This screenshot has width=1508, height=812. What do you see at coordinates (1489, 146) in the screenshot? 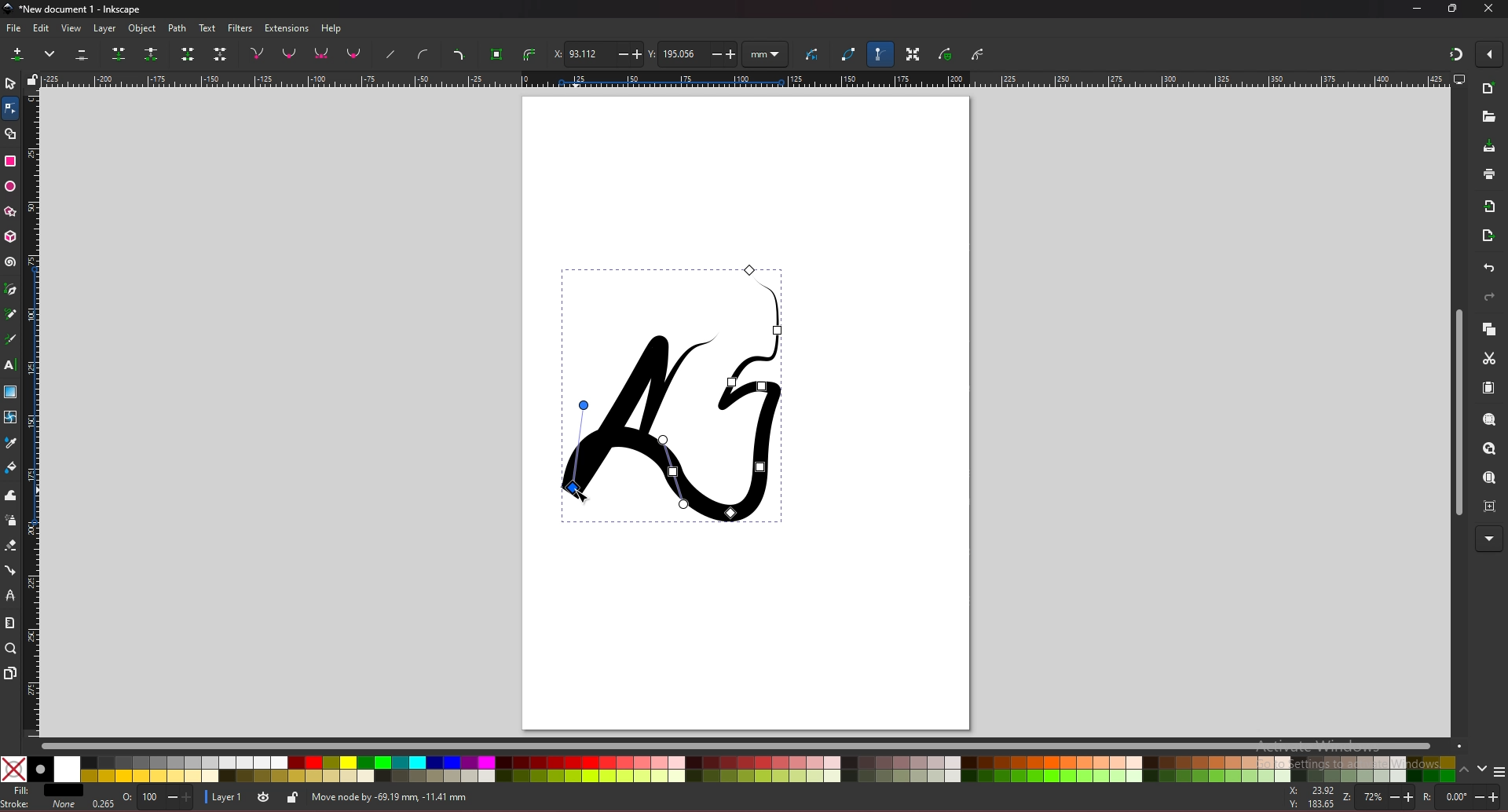
I see `save` at bounding box center [1489, 146].